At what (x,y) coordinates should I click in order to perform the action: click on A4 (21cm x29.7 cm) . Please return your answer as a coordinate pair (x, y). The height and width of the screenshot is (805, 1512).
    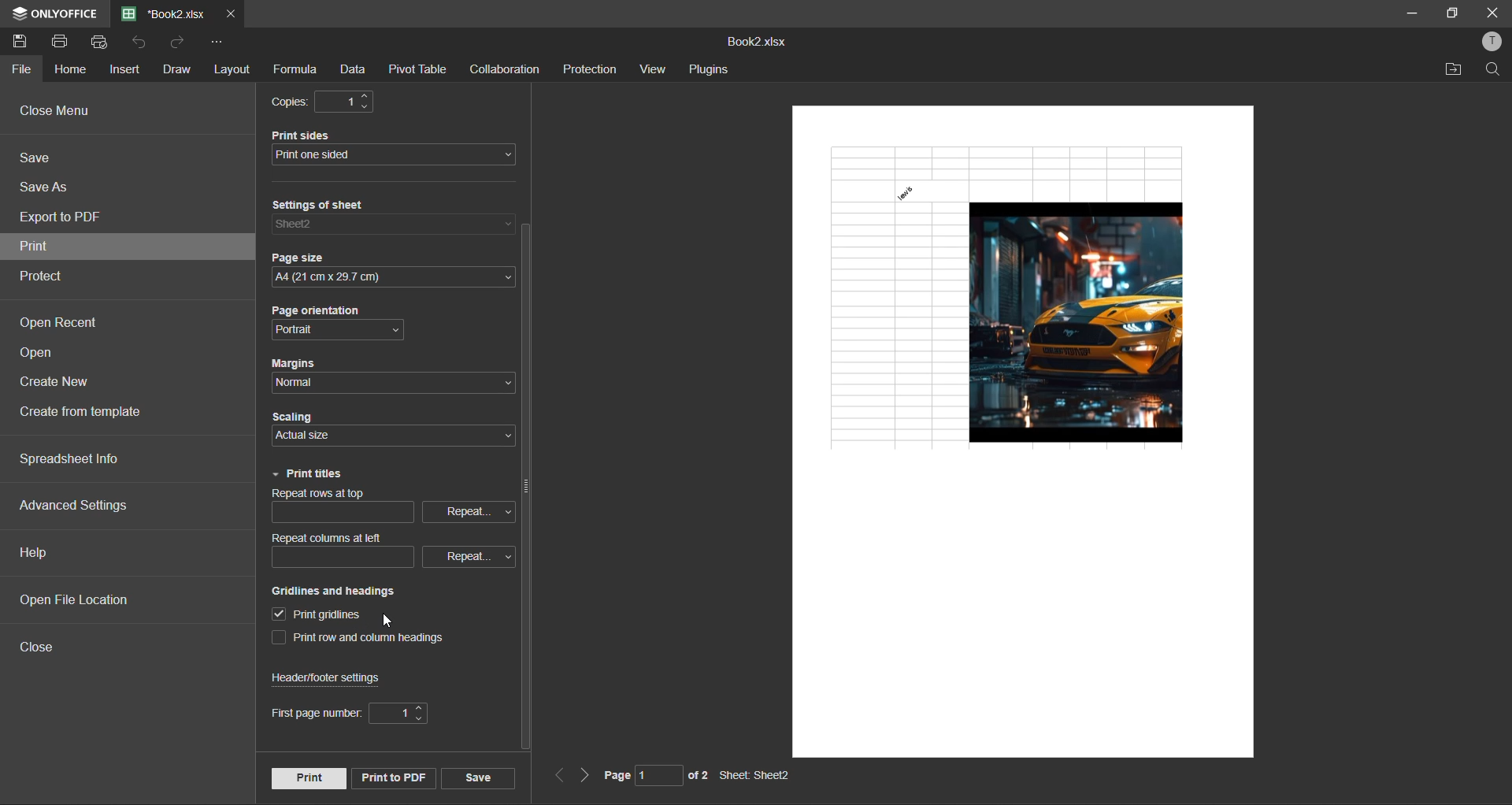
    Looking at the image, I should click on (393, 278).